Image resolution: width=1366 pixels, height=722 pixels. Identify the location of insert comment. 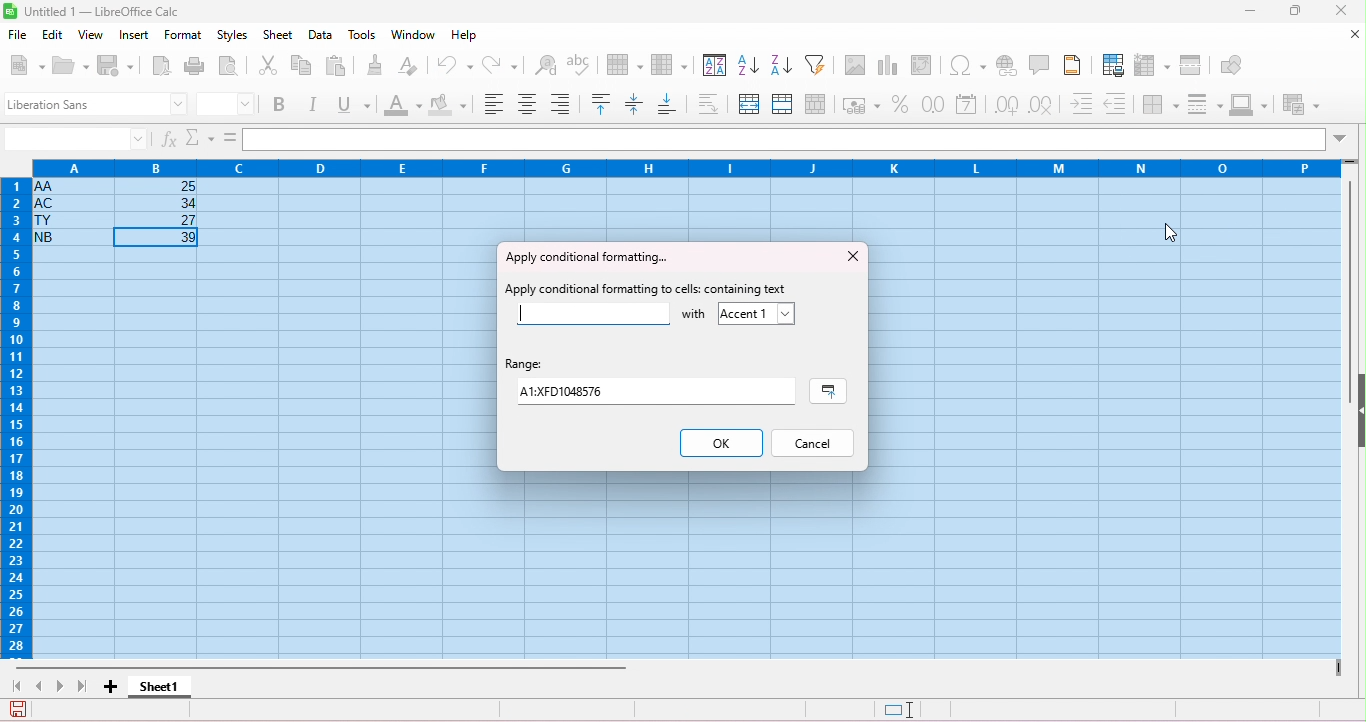
(1042, 64).